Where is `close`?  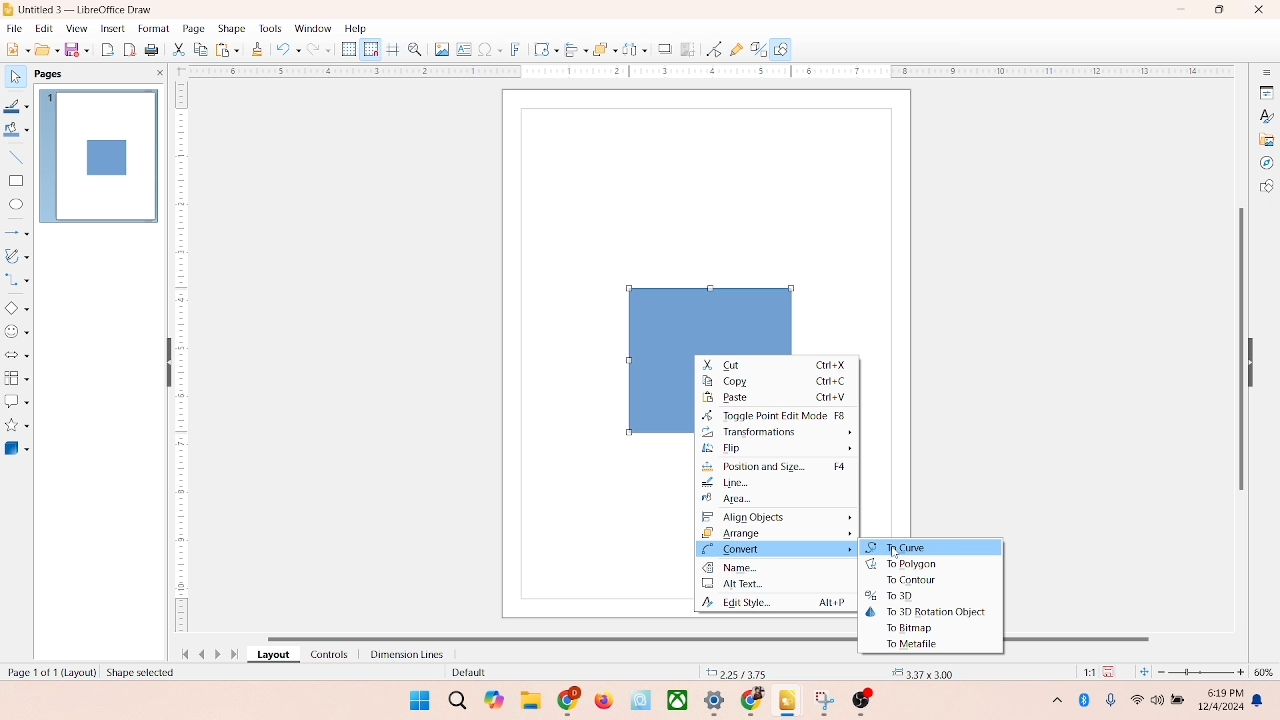 close is located at coordinates (156, 73).